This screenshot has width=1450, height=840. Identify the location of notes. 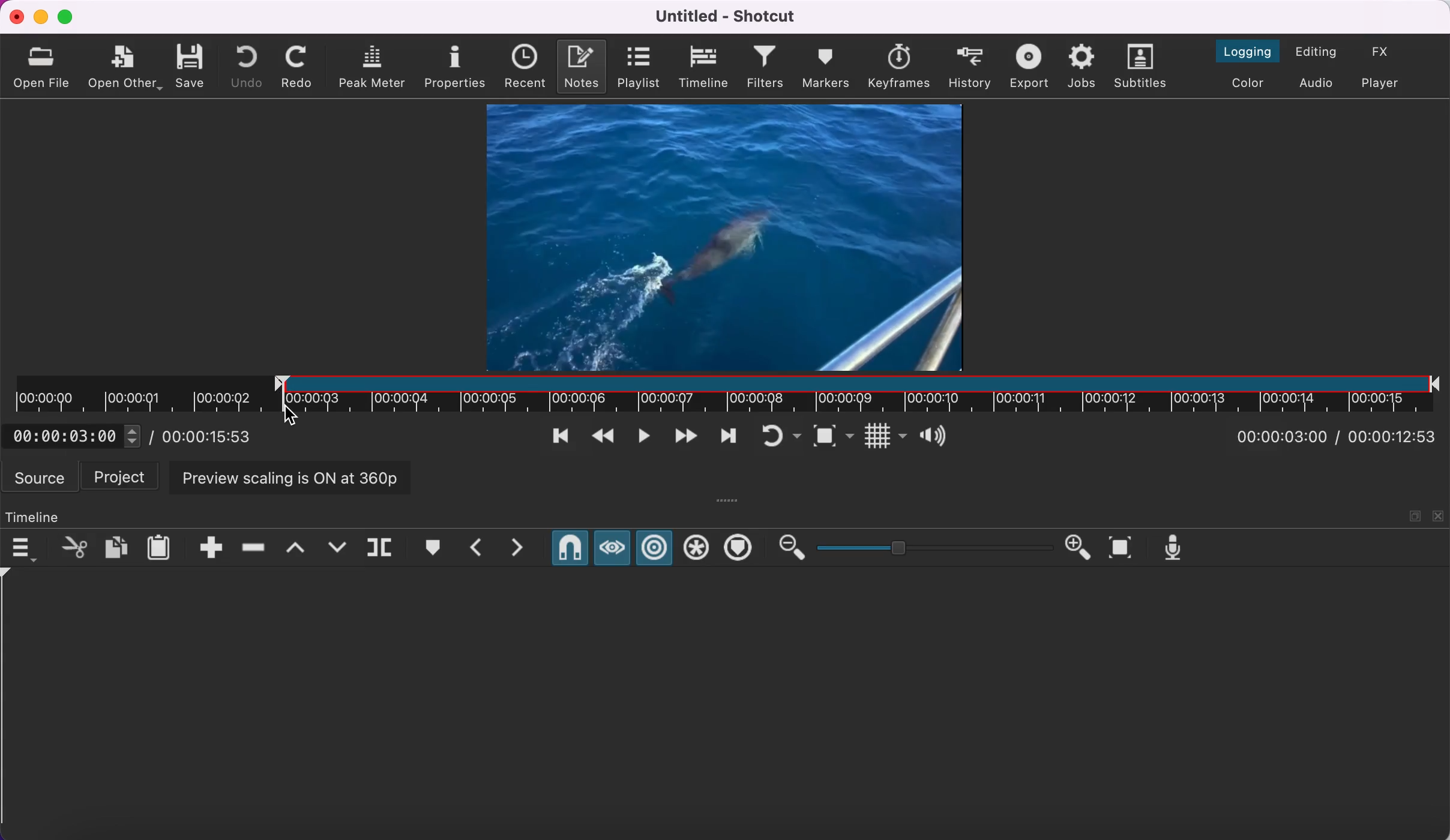
(583, 66).